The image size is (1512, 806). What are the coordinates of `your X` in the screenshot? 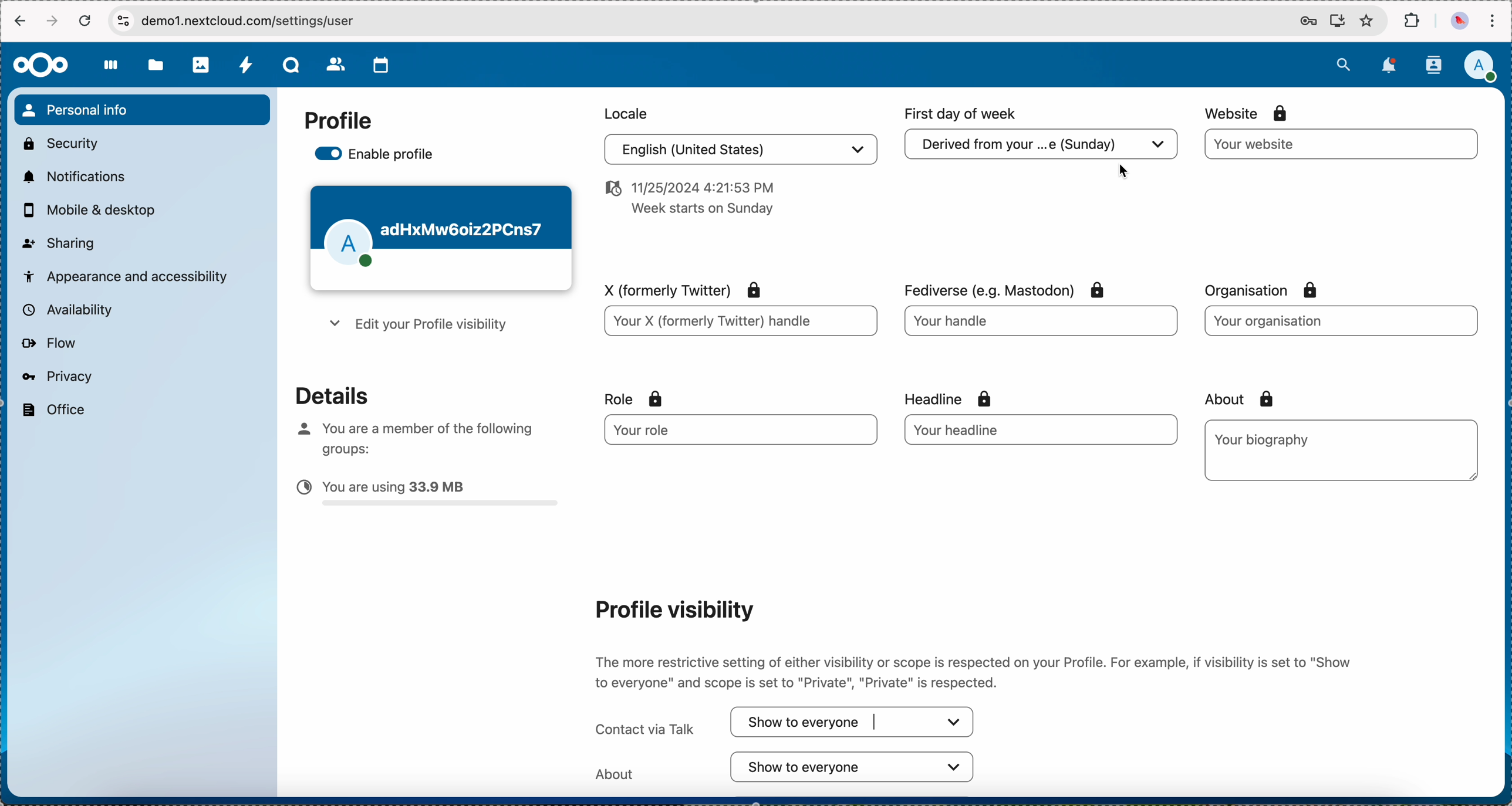 It's located at (740, 323).